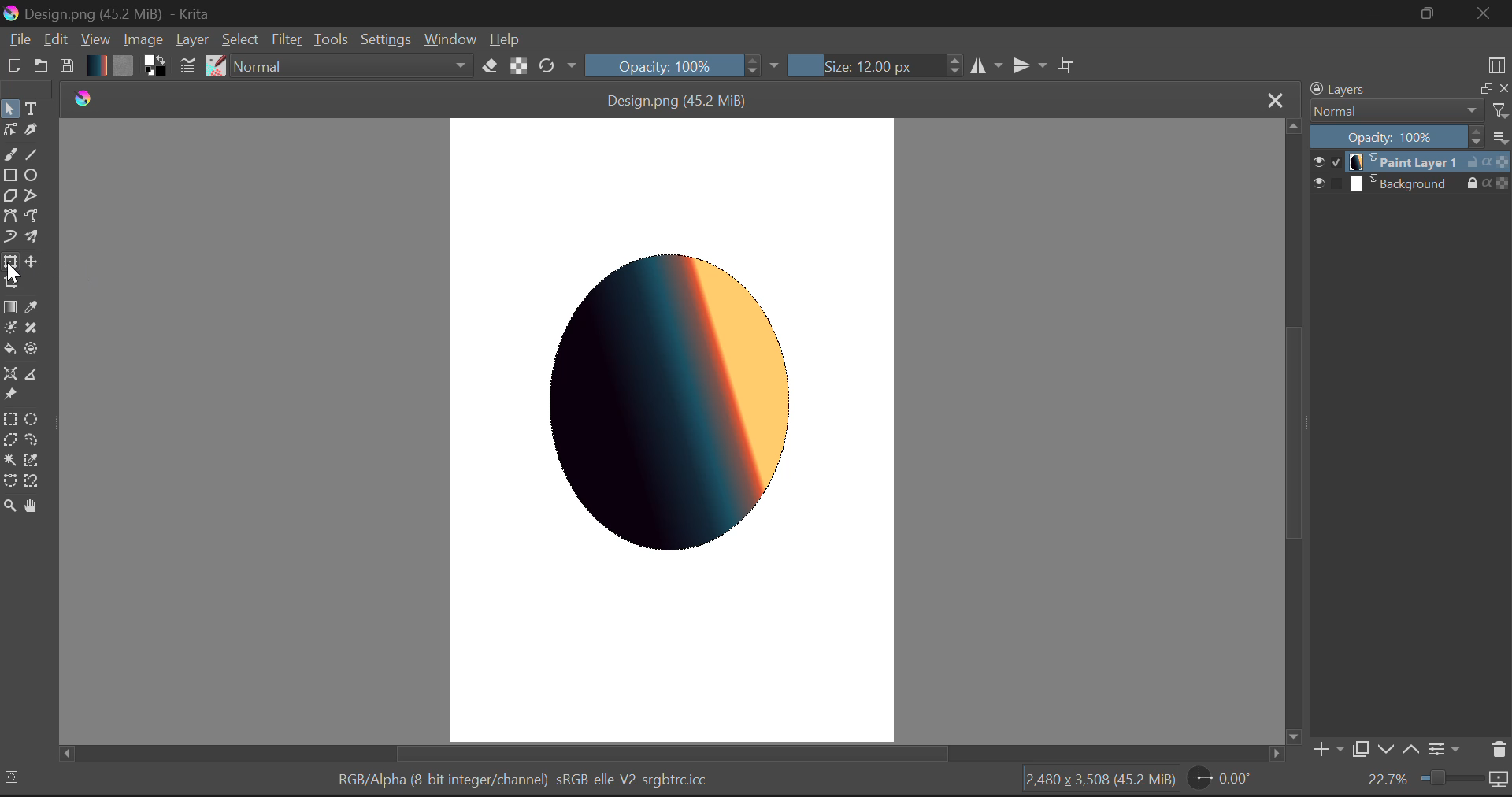  What do you see at coordinates (96, 65) in the screenshot?
I see `Gradient` at bounding box center [96, 65].